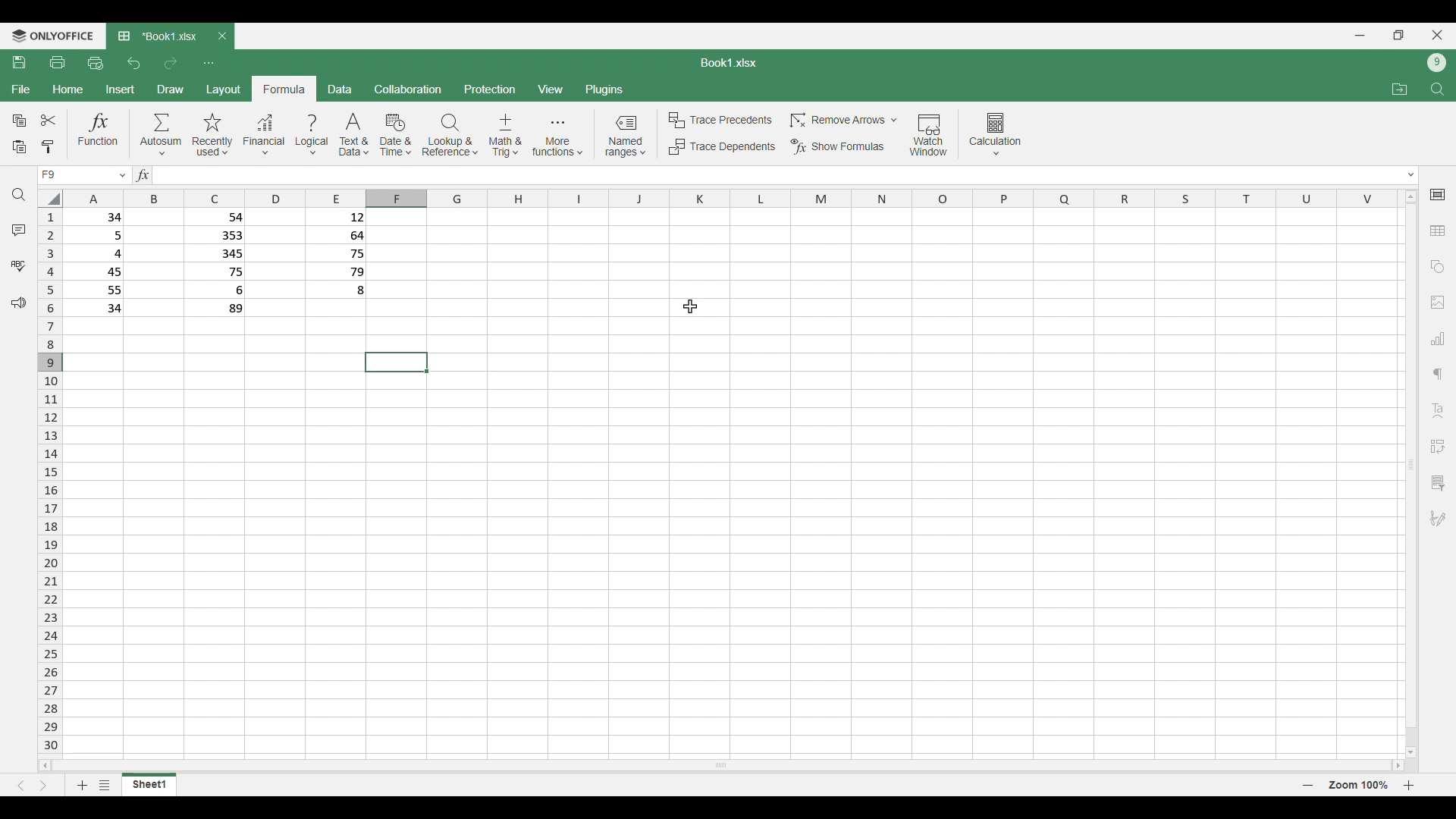 The width and height of the screenshot is (1456, 819). What do you see at coordinates (1308, 785) in the screenshot?
I see `Zoom out` at bounding box center [1308, 785].